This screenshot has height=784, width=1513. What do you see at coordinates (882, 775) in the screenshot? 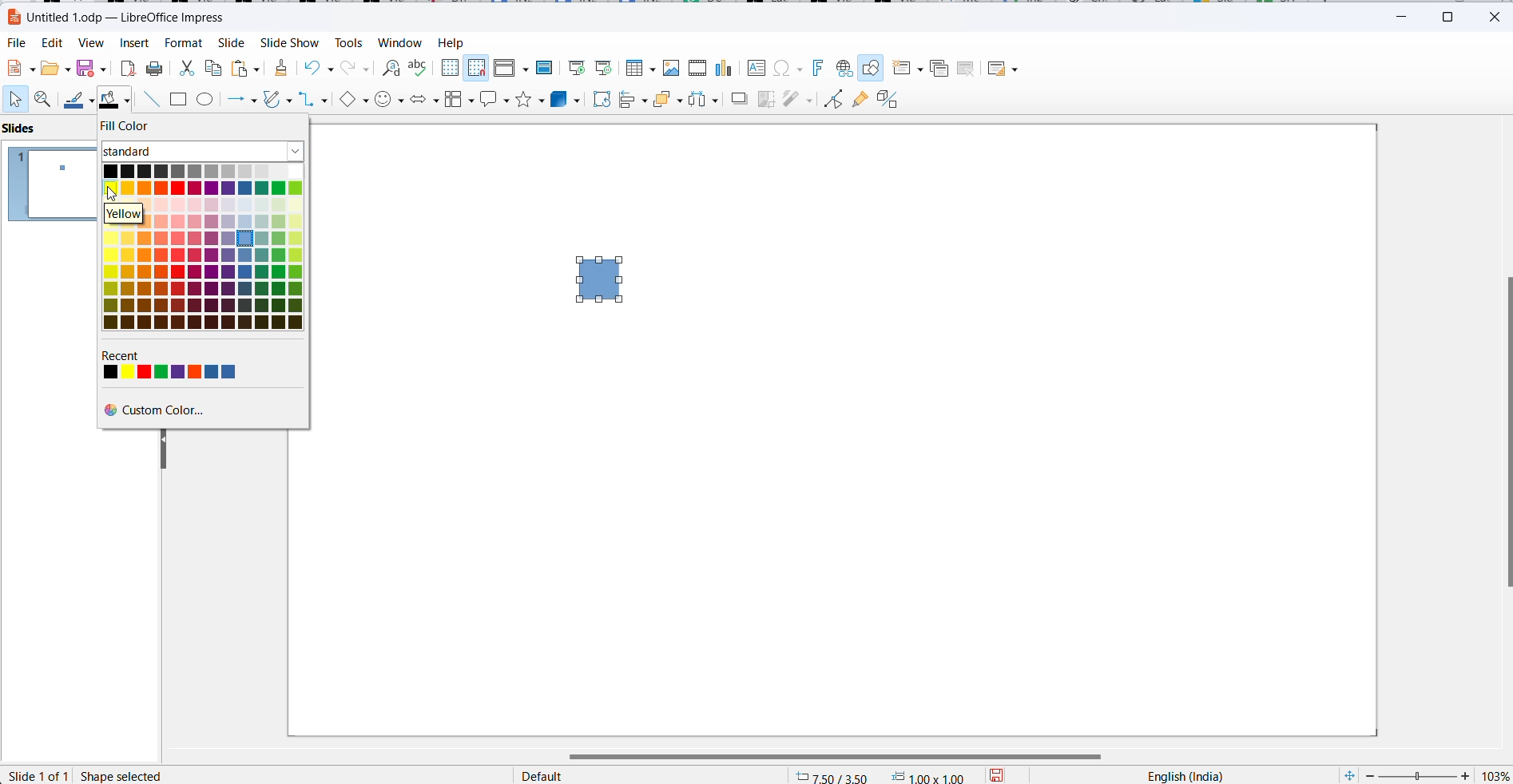
I see `cursor mapping` at bounding box center [882, 775].